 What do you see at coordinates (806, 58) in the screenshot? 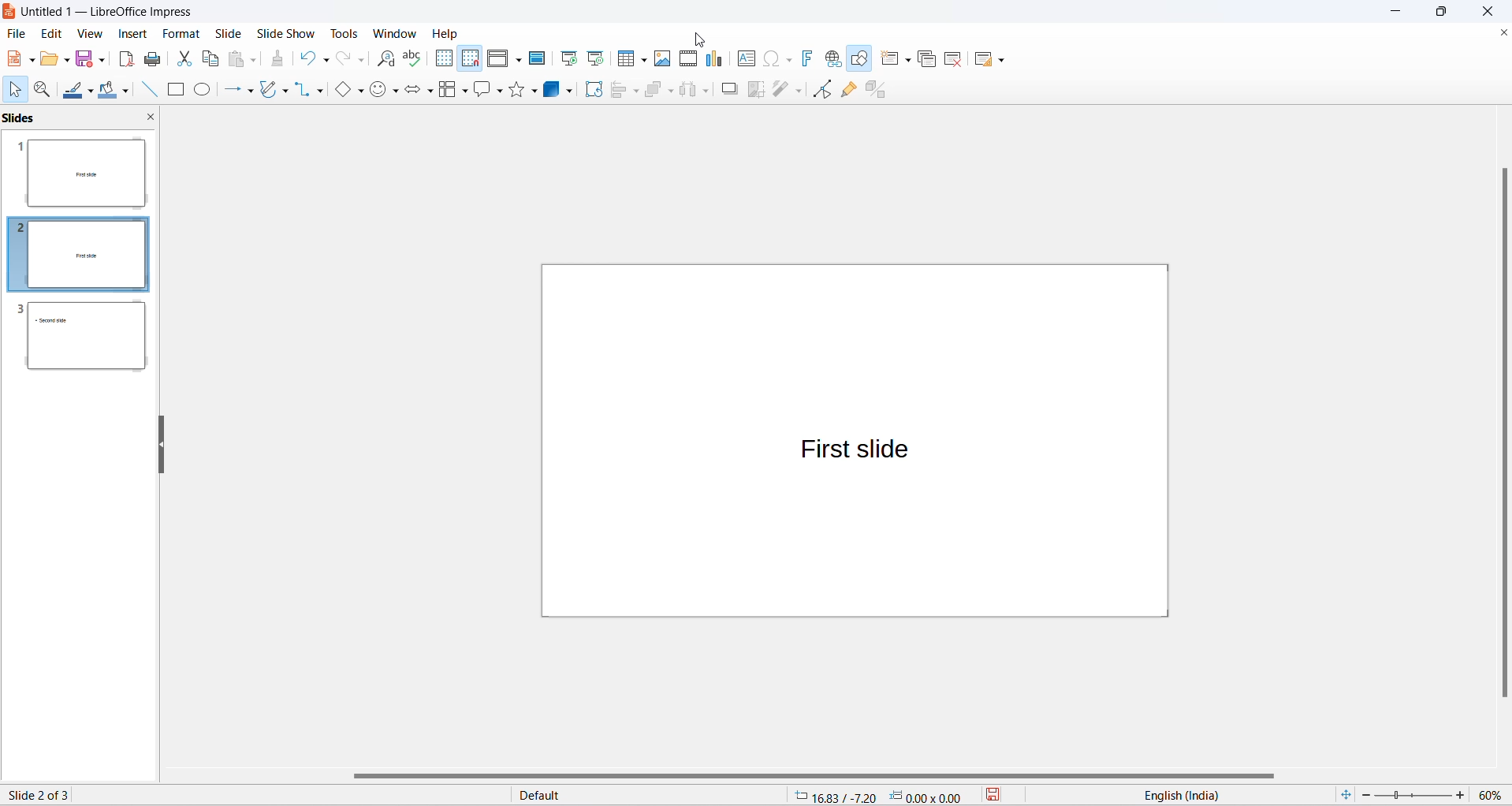
I see `insert fontwork text` at bounding box center [806, 58].